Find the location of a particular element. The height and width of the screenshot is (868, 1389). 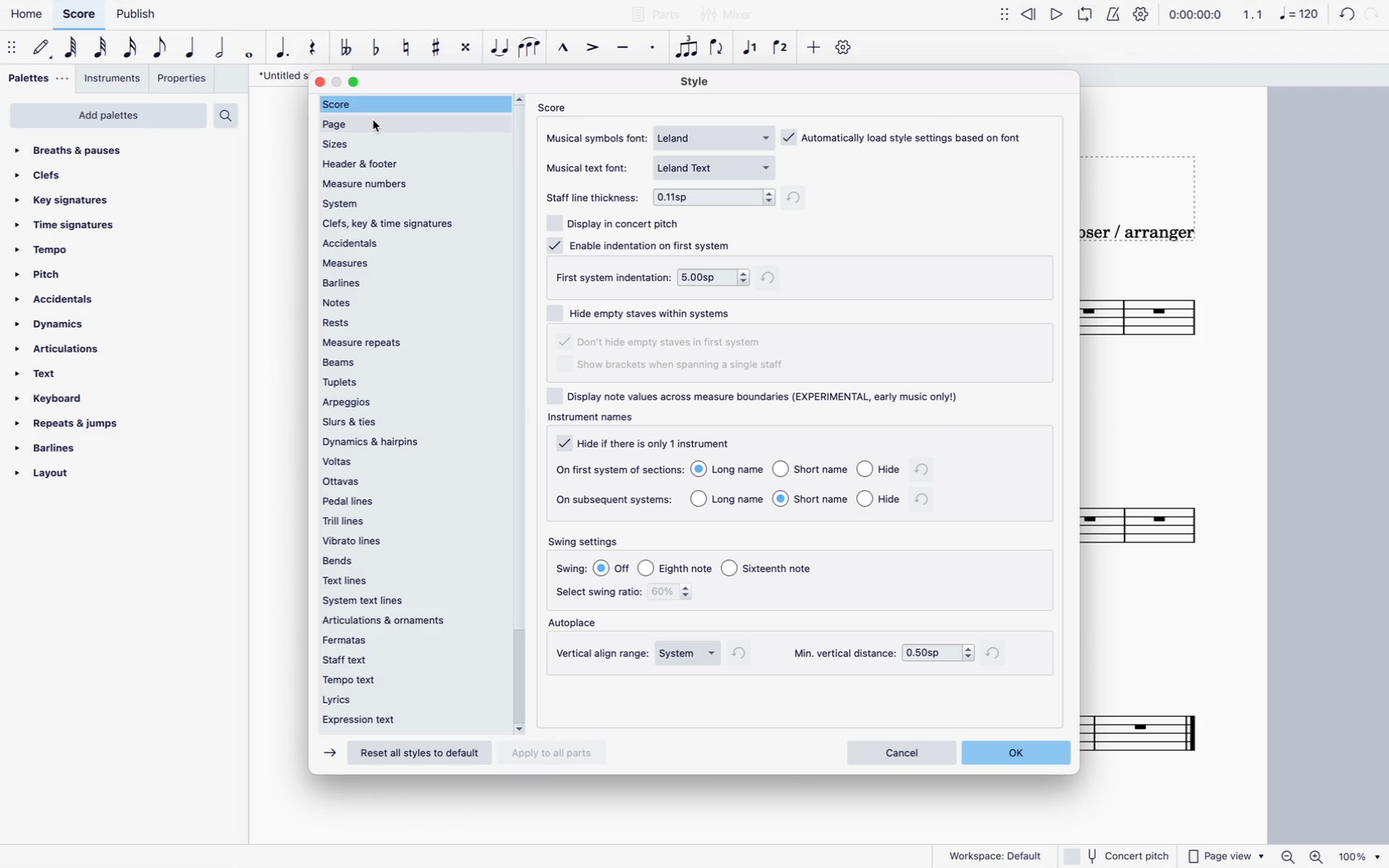

home is located at coordinates (27, 14).